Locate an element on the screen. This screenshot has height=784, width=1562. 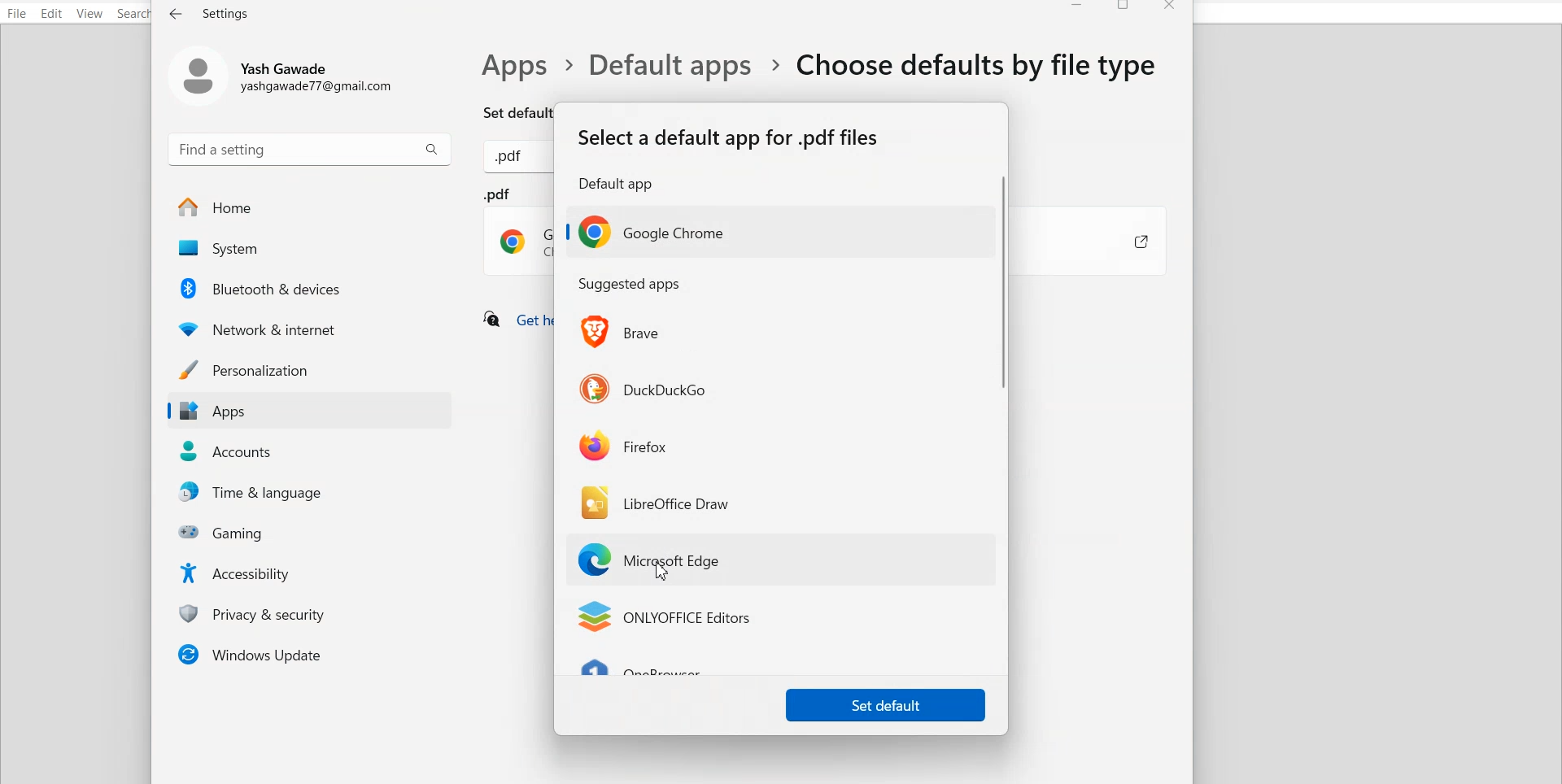
Text is located at coordinates (814, 80).